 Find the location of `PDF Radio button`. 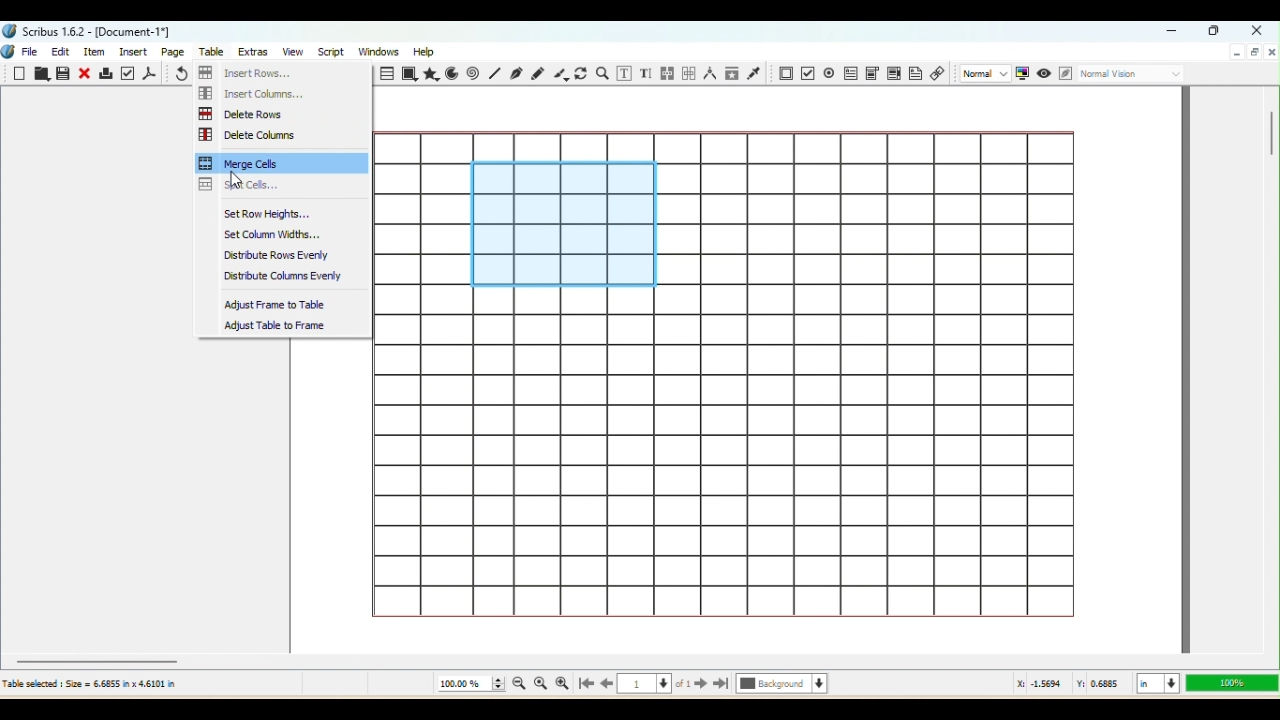

PDF Radio button is located at coordinates (807, 73).